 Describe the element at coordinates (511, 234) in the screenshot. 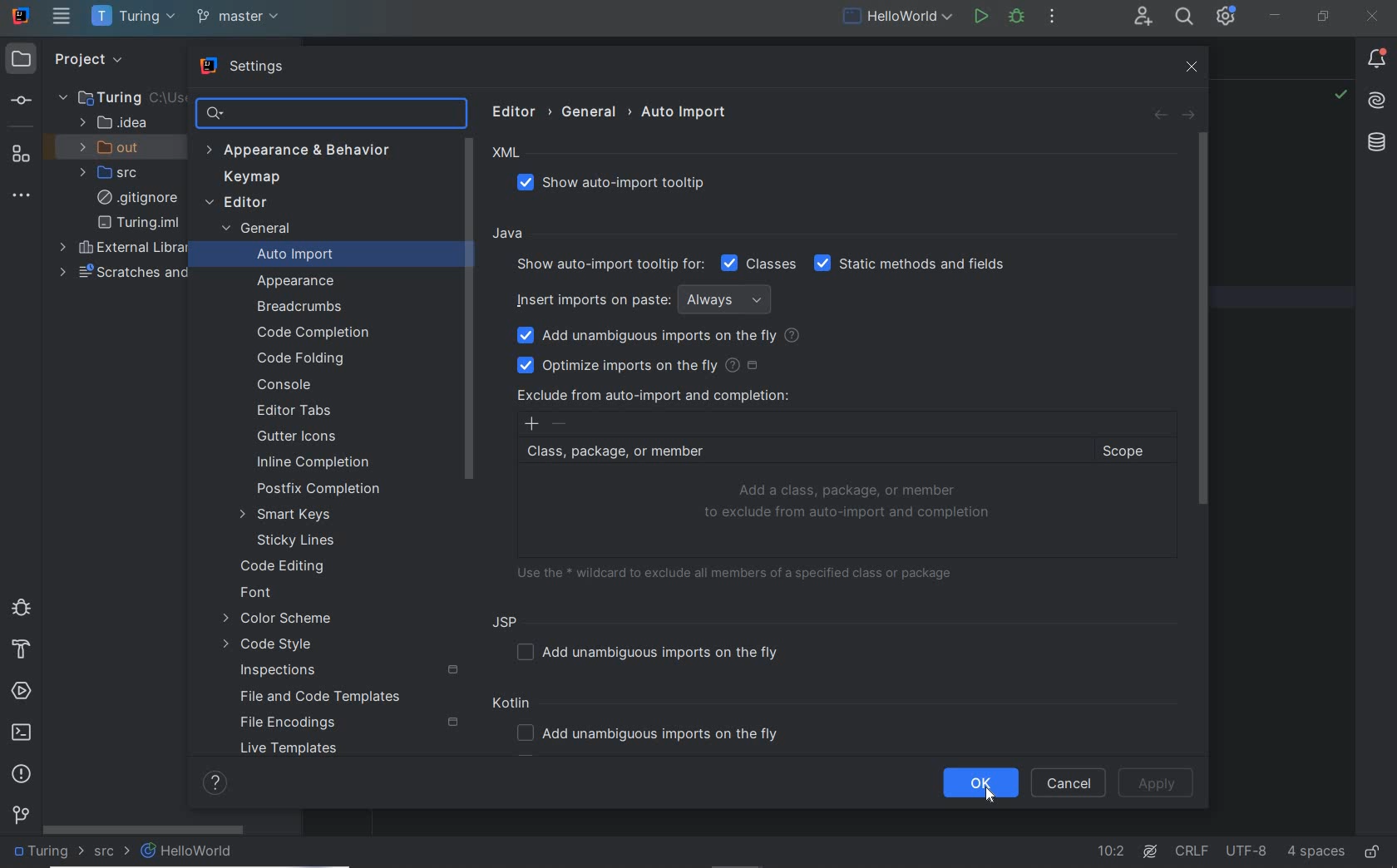

I see `JAVA` at that location.